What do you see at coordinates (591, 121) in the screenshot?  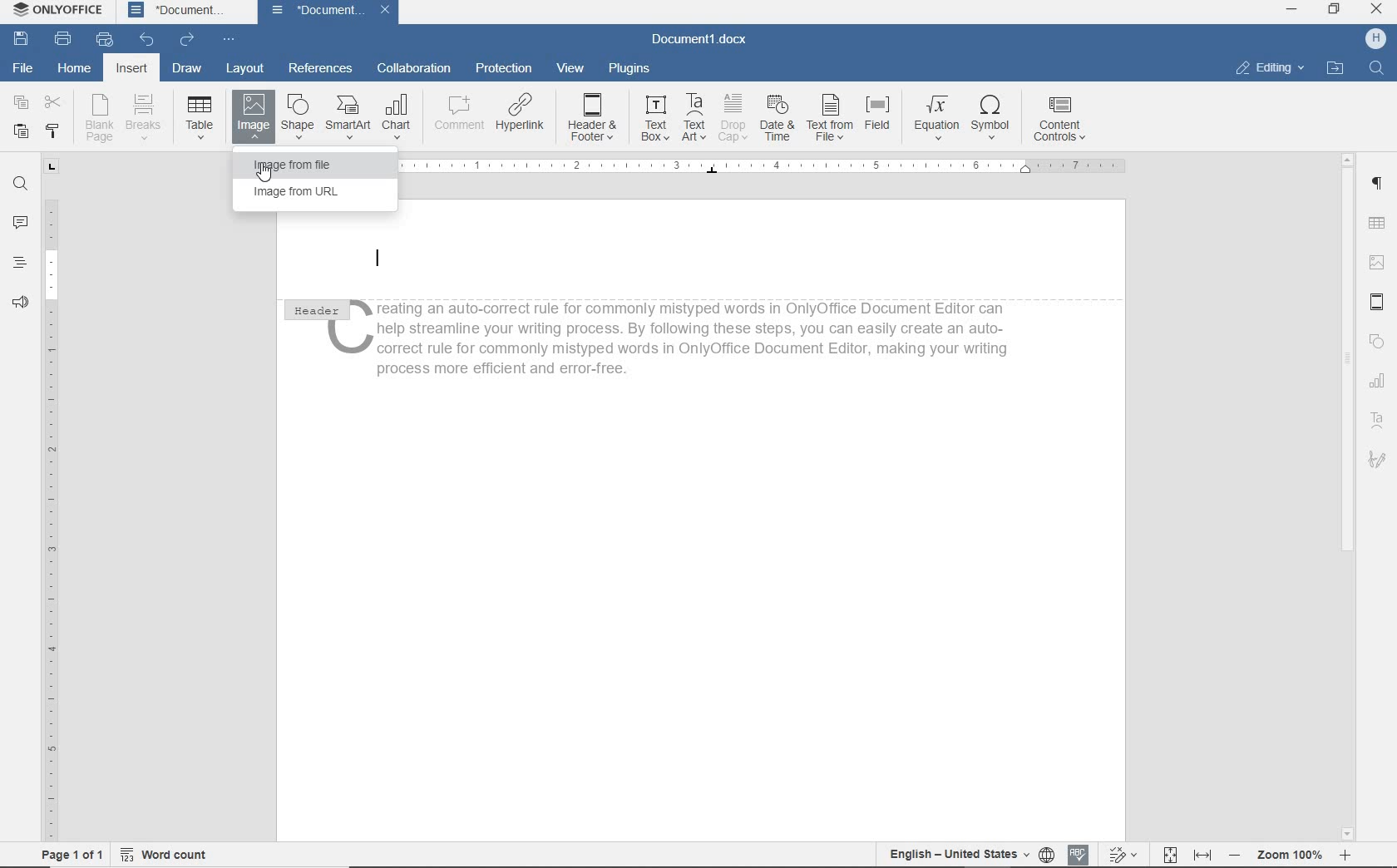 I see `HEADER & FOOTER` at bounding box center [591, 121].